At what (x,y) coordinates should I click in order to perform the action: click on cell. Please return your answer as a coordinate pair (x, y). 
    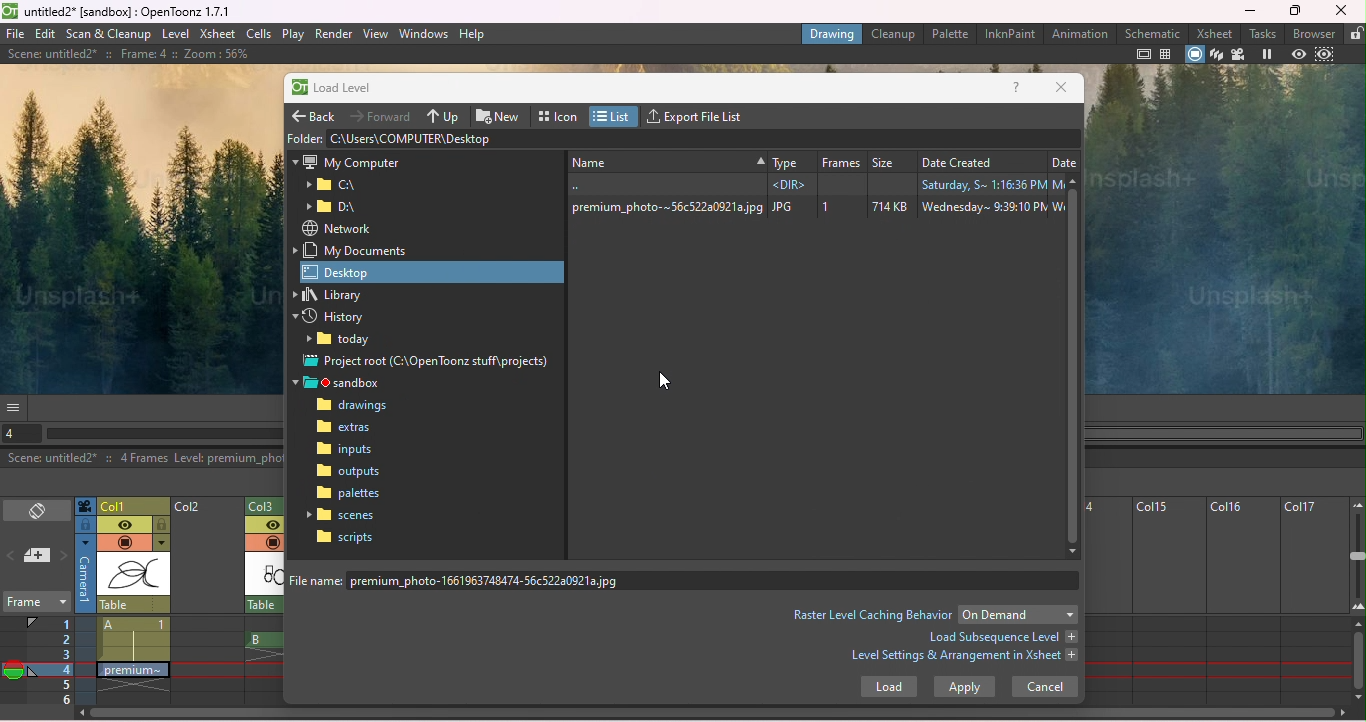
    Looking at the image, I should click on (130, 669).